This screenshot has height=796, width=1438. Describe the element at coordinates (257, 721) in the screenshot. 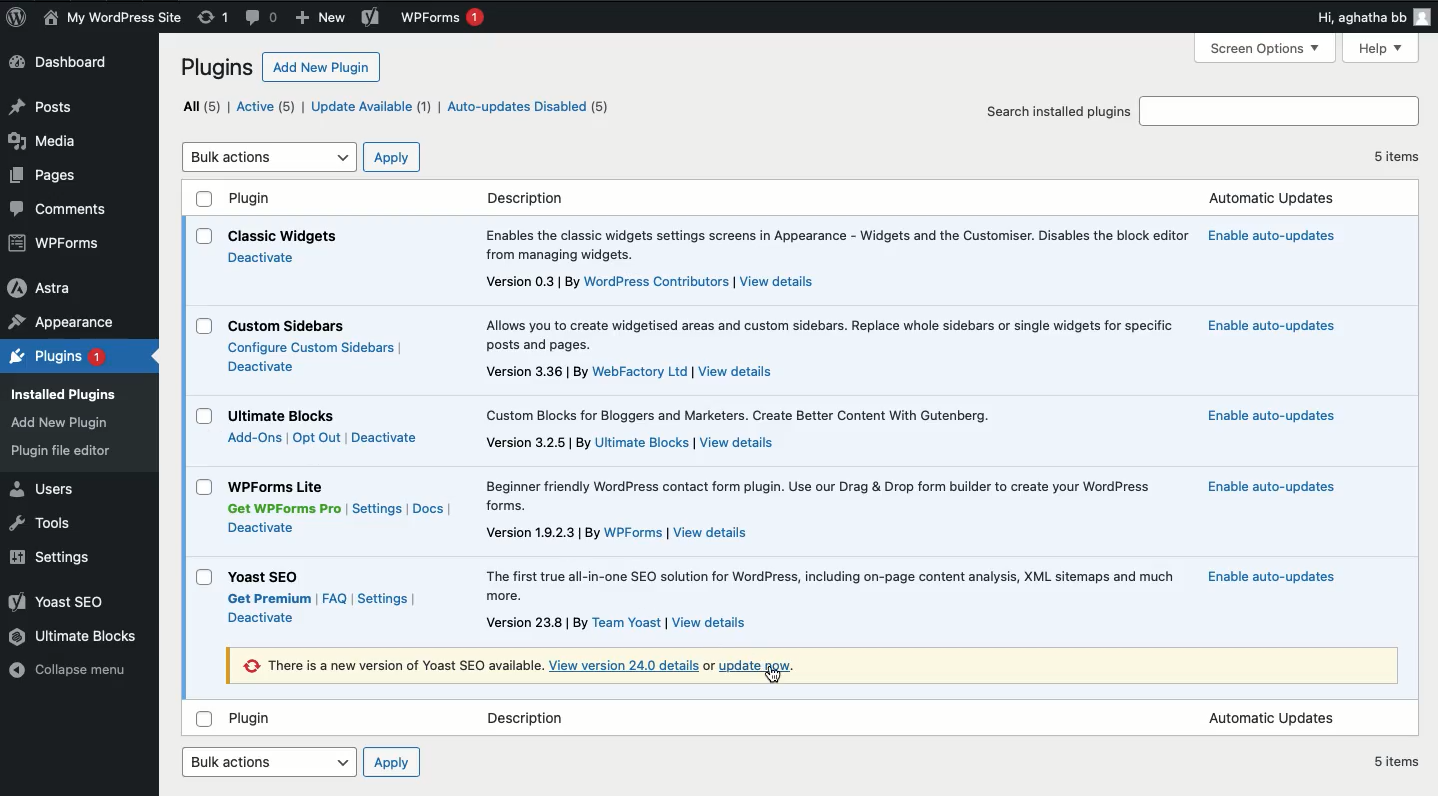

I see `Plugin` at that location.